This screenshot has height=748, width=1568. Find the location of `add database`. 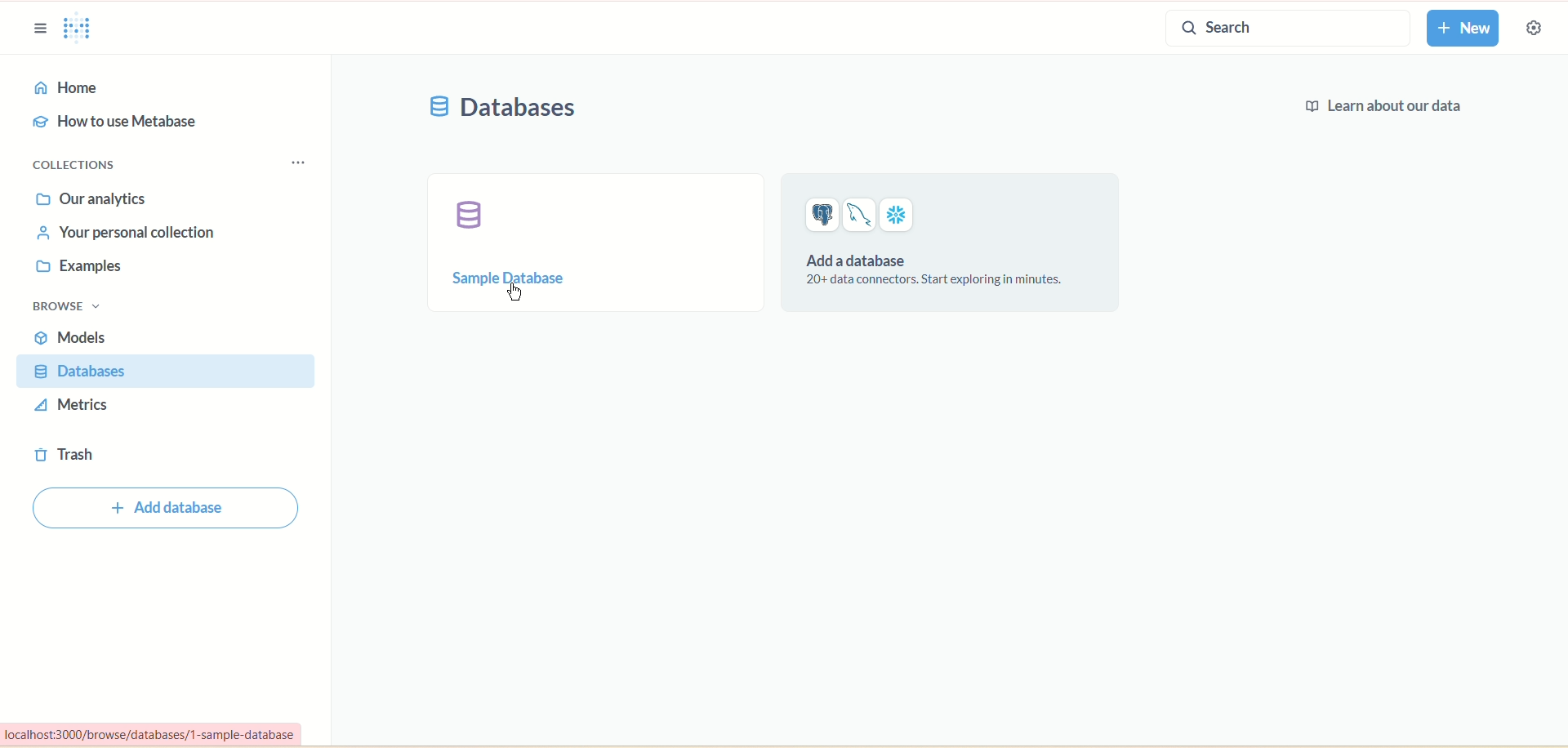

add database is located at coordinates (169, 510).